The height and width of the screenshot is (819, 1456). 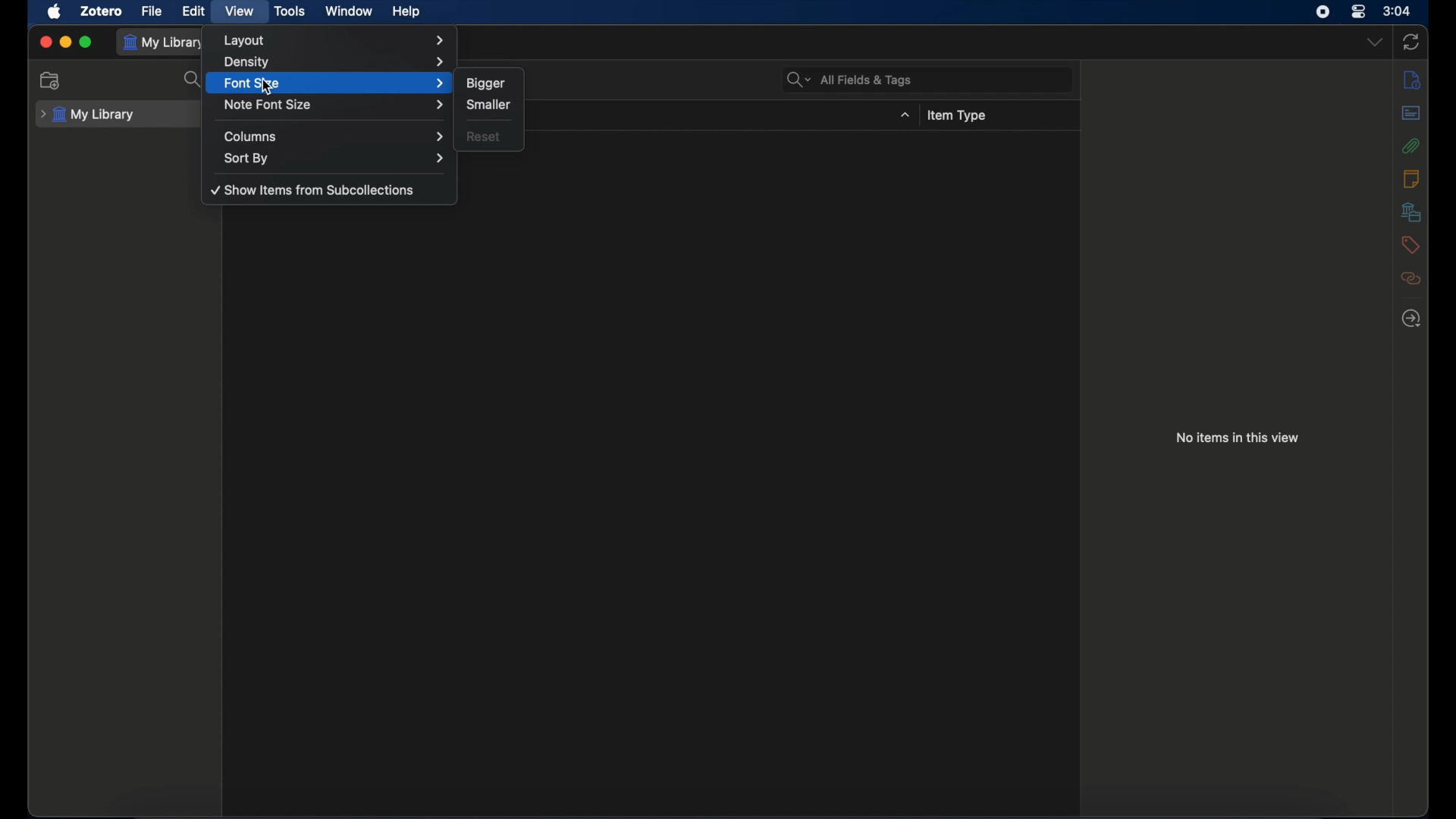 I want to click on screen recorder, so click(x=1323, y=12).